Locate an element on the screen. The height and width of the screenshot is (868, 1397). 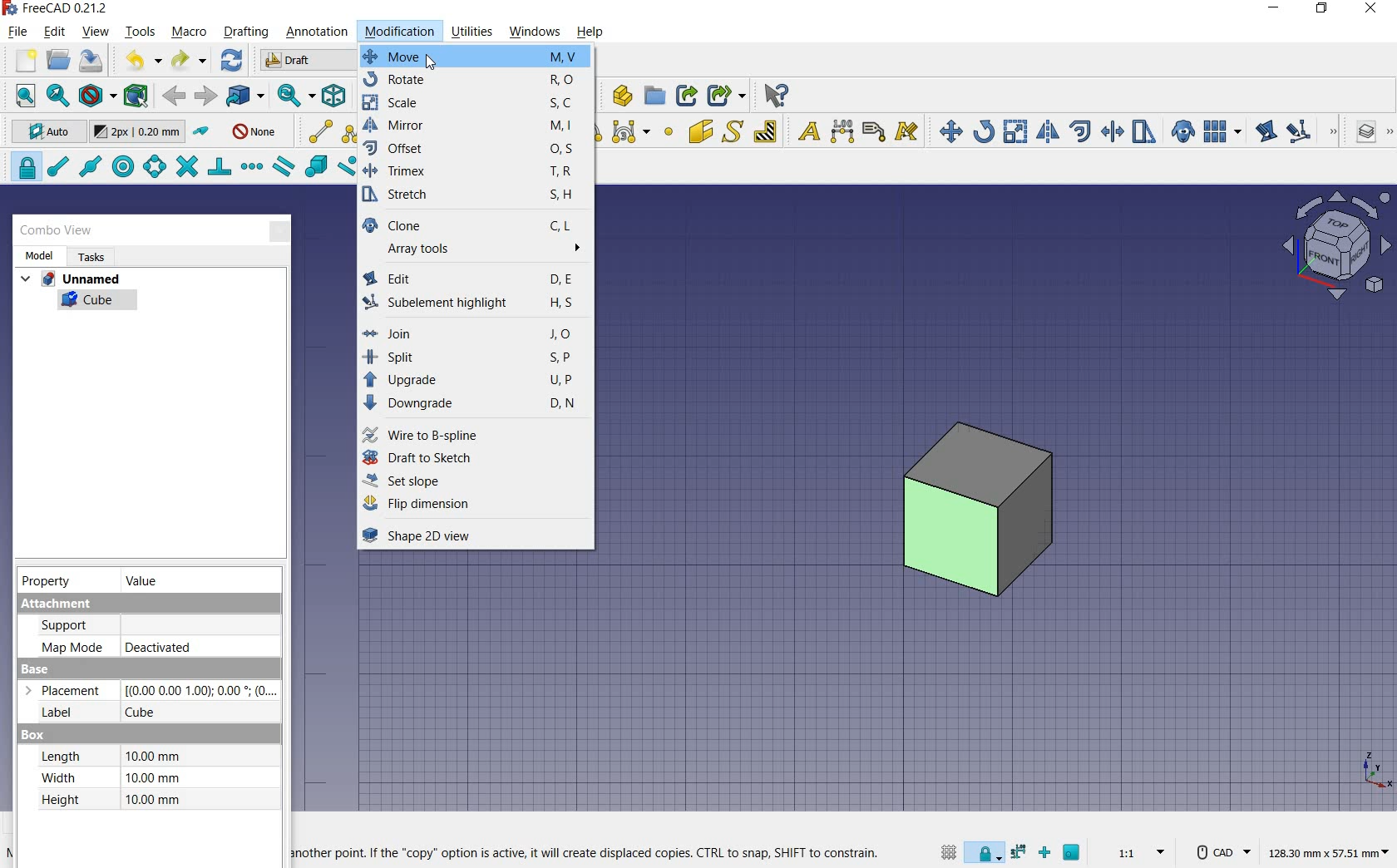
cube is located at coordinates (146, 713).